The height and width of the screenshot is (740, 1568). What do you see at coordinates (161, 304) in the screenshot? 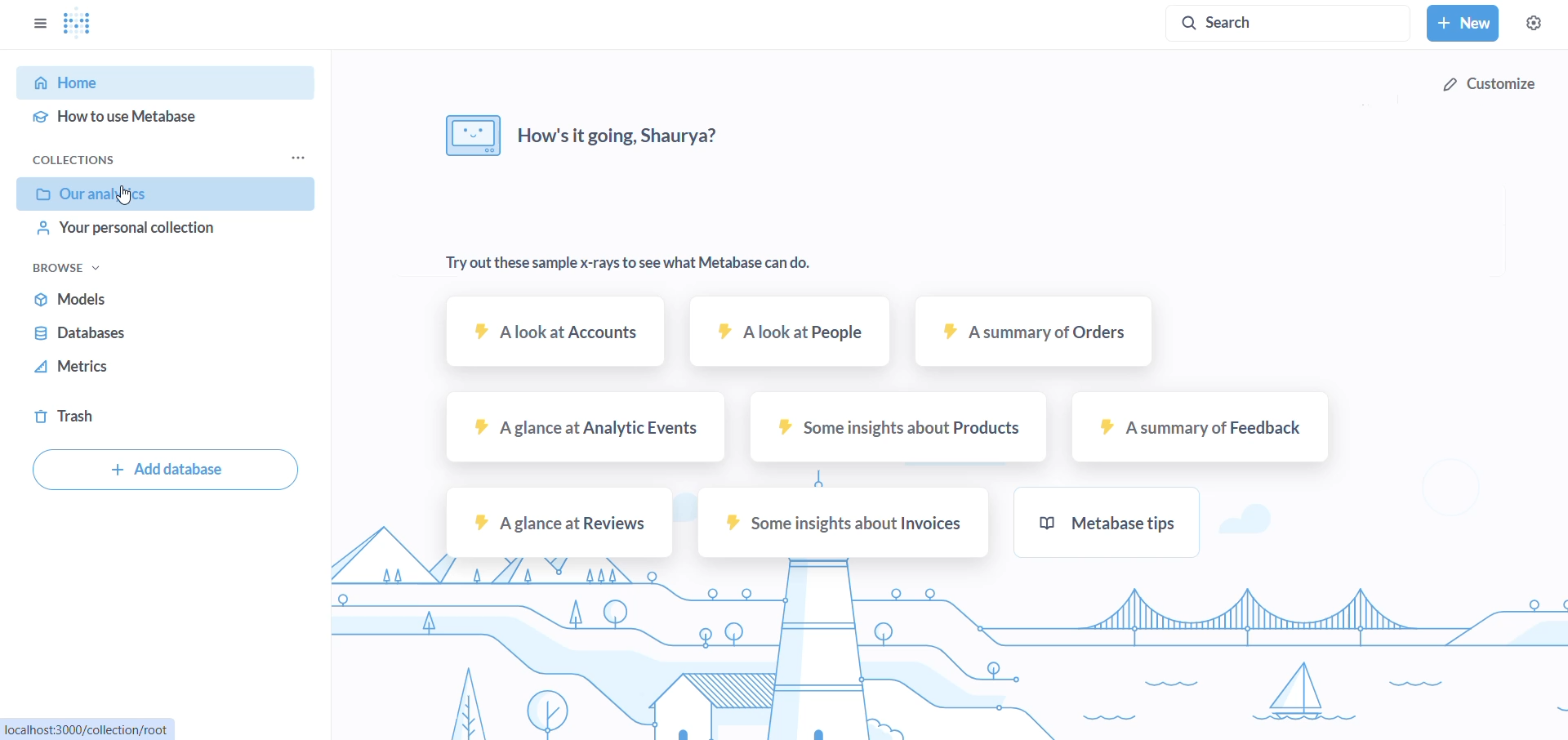
I see `models` at bounding box center [161, 304].